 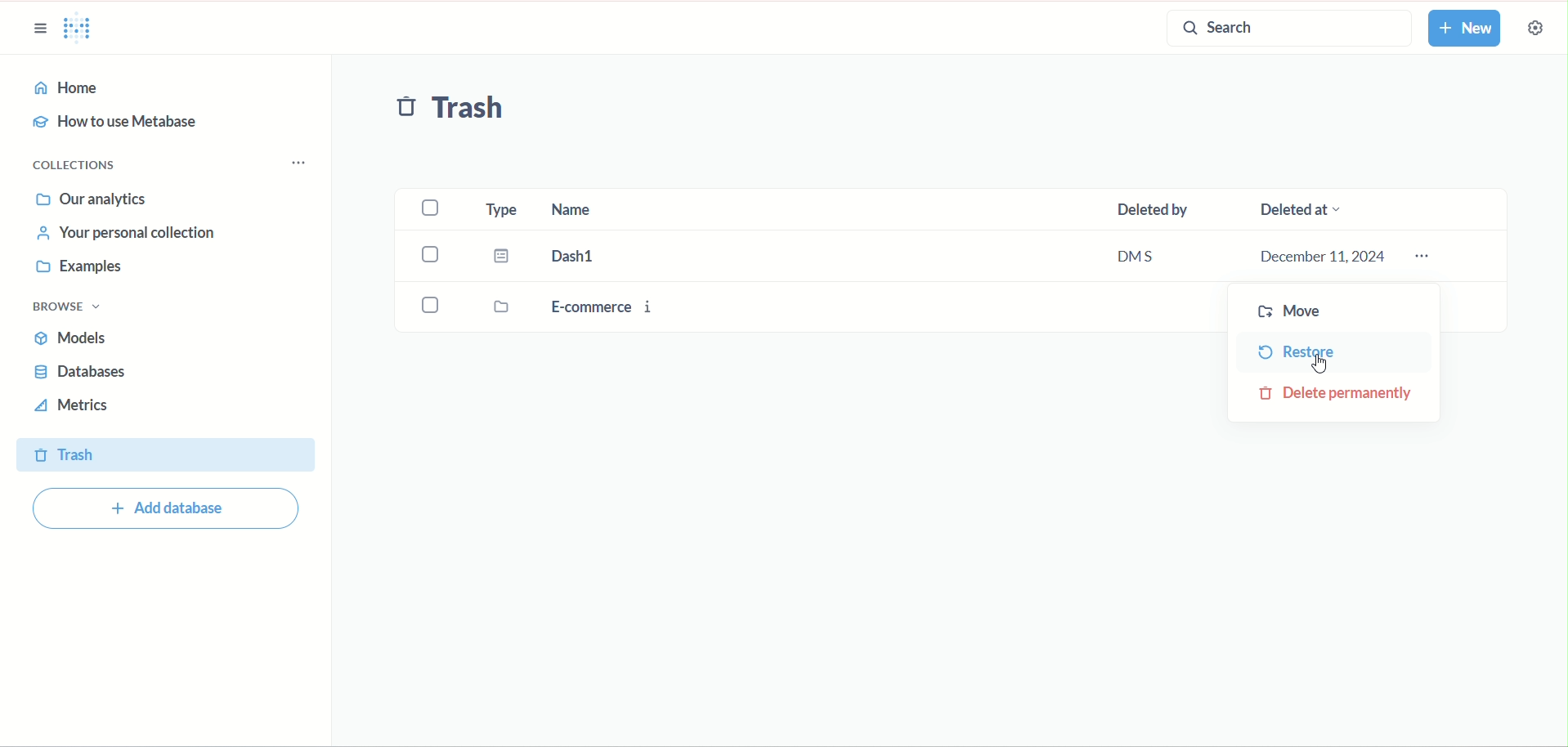 What do you see at coordinates (1297, 353) in the screenshot?
I see `restore` at bounding box center [1297, 353].